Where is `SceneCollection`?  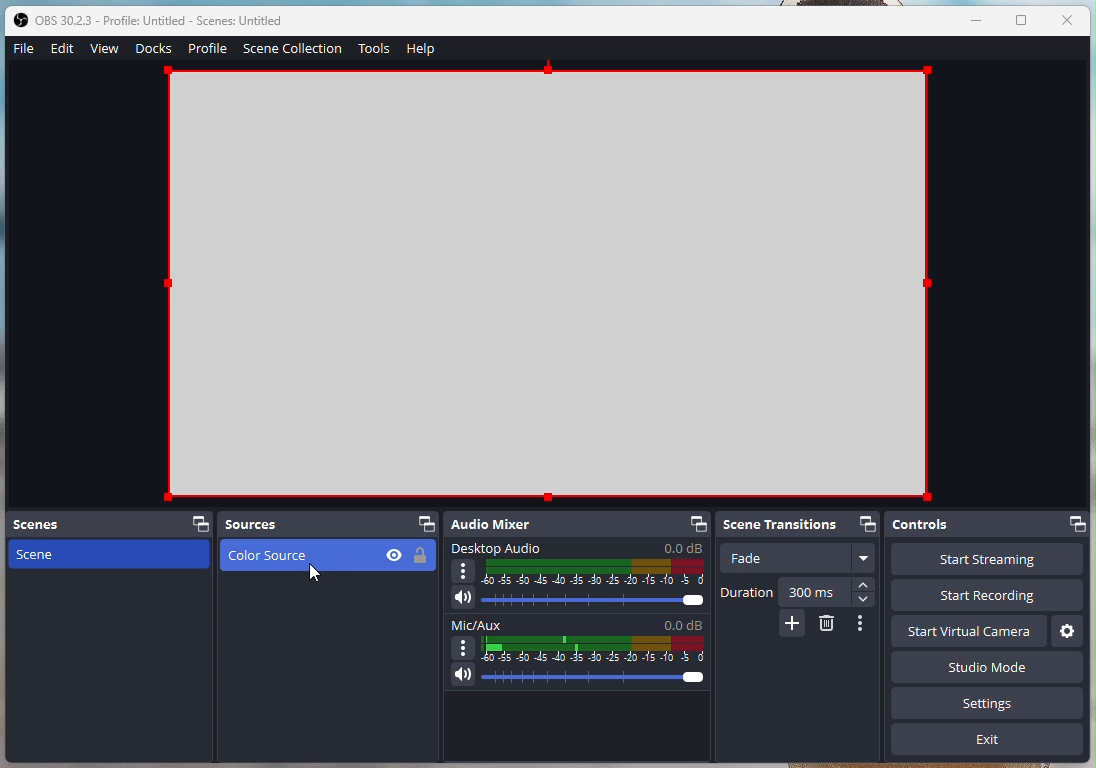 SceneCollection is located at coordinates (294, 47).